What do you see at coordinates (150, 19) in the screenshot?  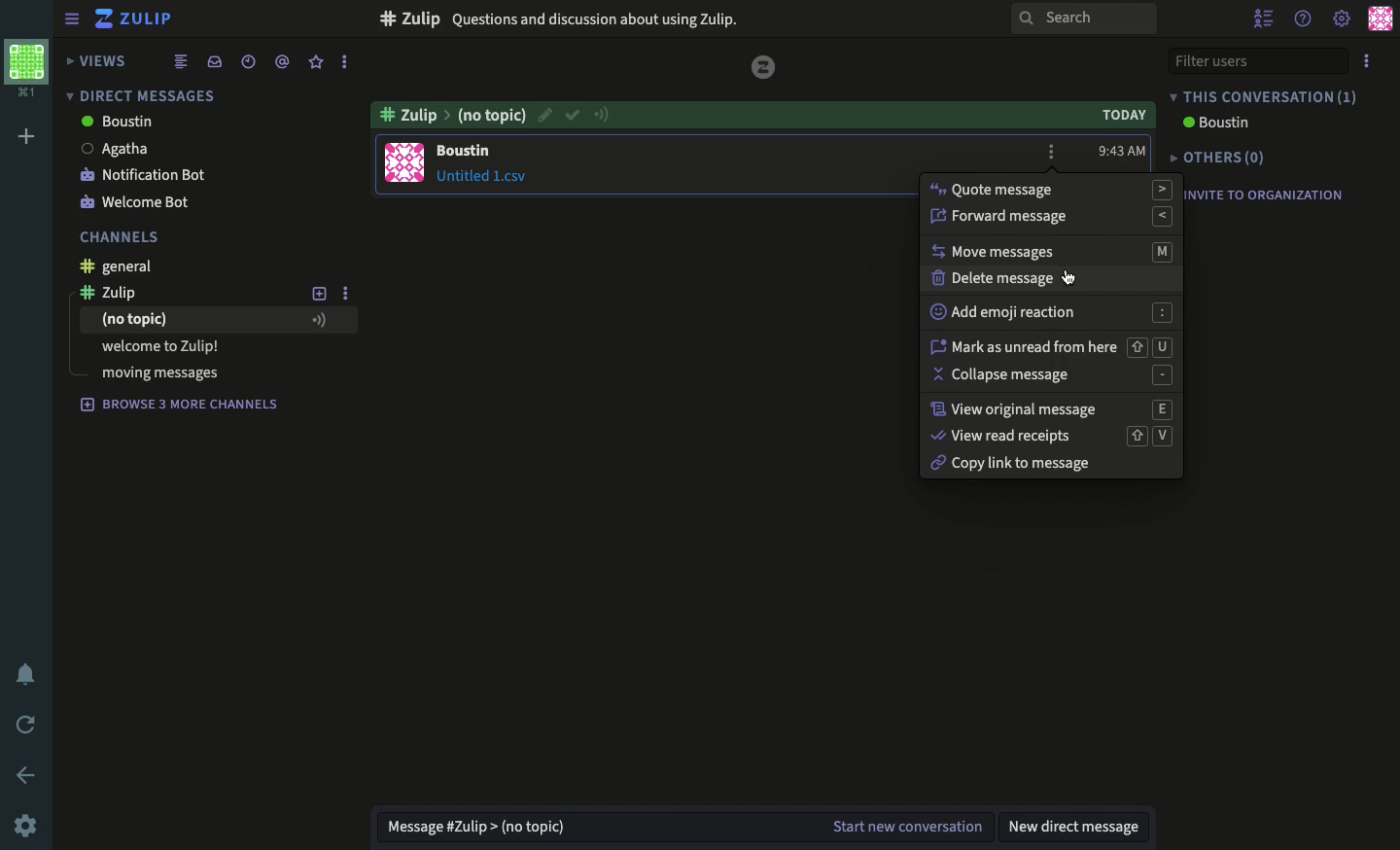 I see `Zulip` at bounding box center [150, 19].